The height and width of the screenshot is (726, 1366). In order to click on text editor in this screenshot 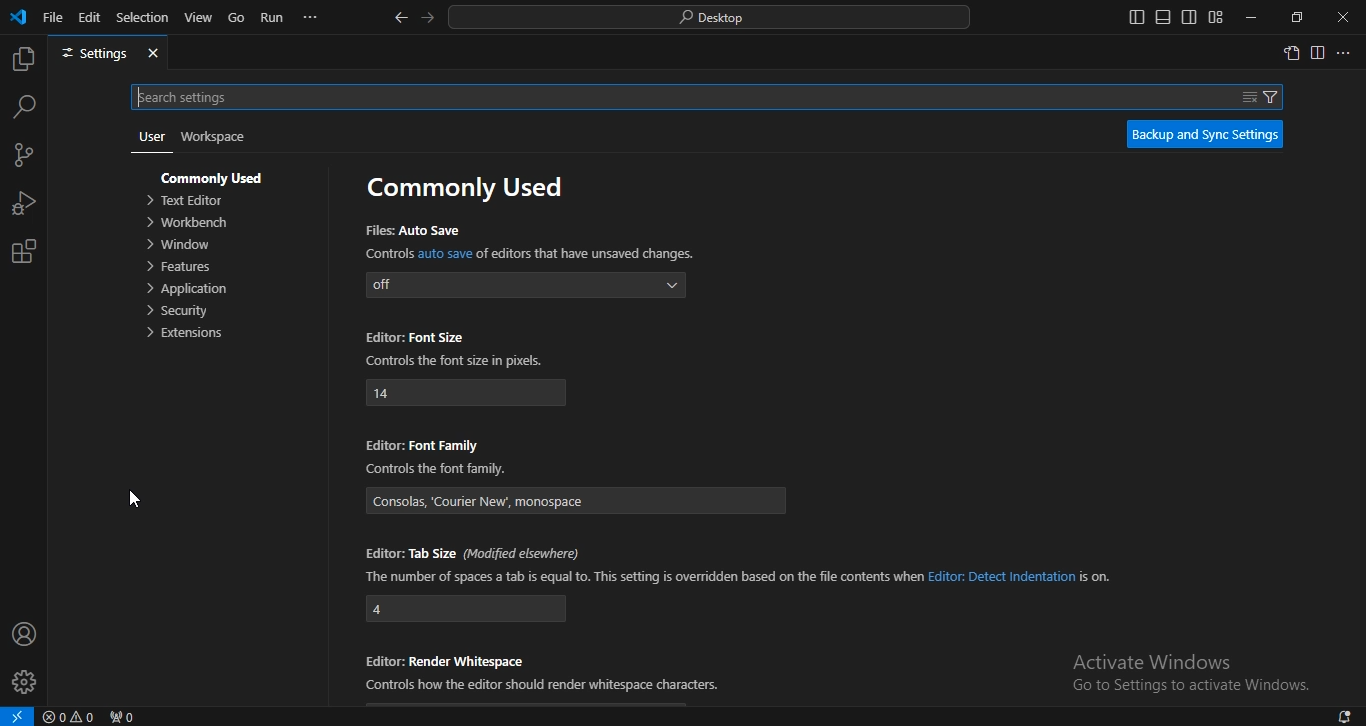, I will do `click(183, 201)`.